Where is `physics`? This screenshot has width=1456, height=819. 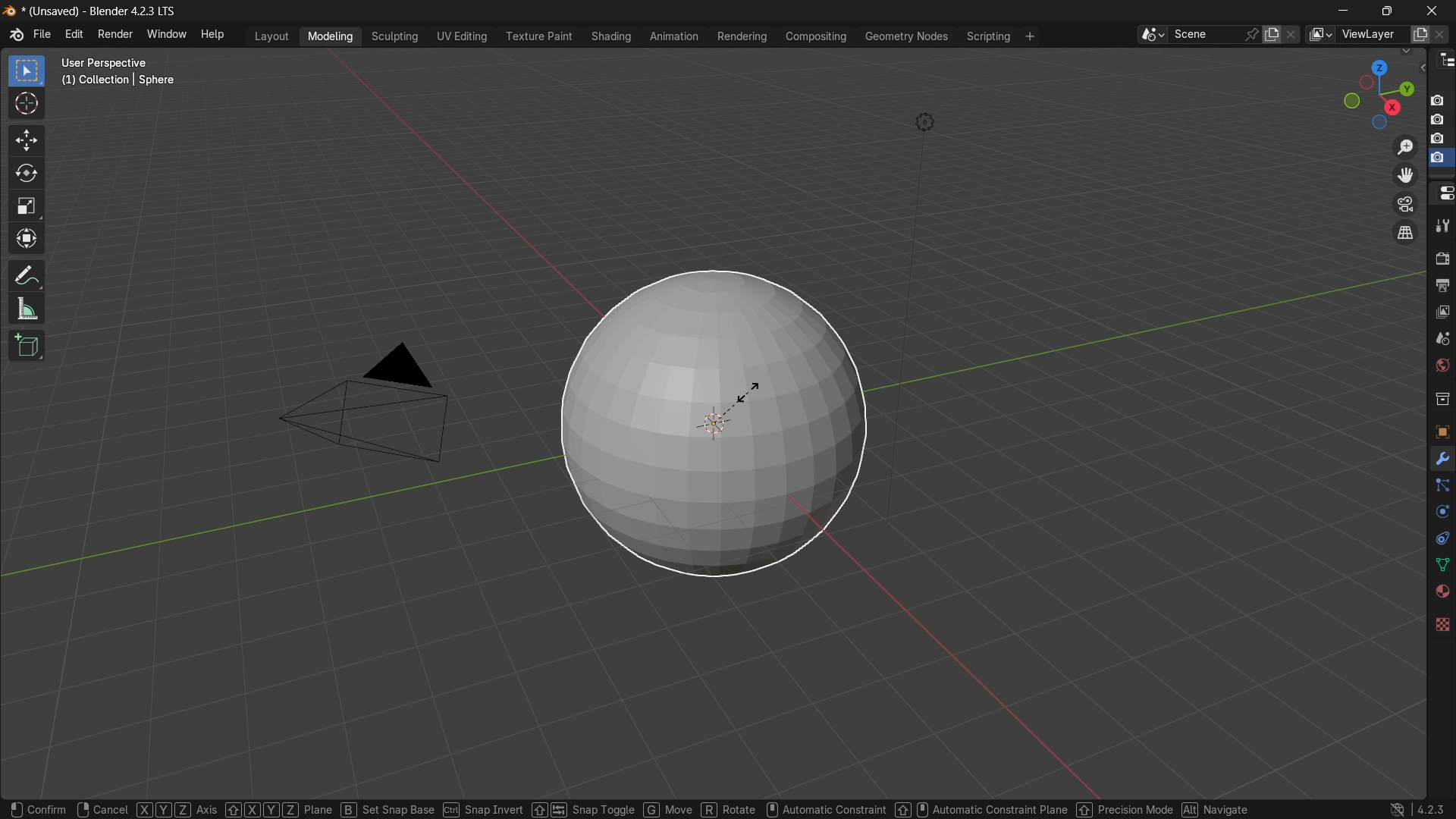 physics is located at coordinates (1441, 513).